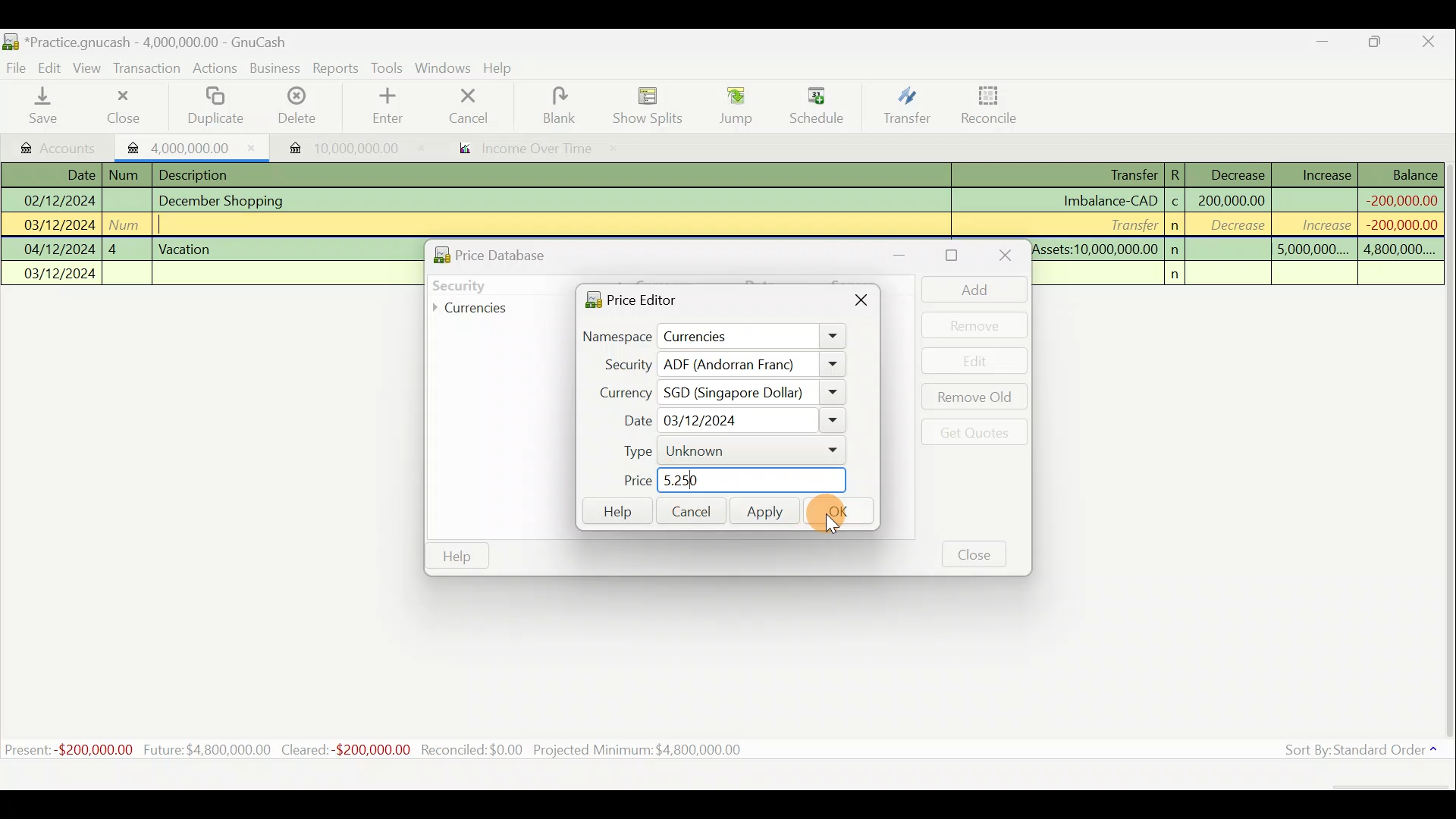 The image size is (1456, 819). Describe the element at coordinates (128, 224) in the screenshot. I see `num` at that location.